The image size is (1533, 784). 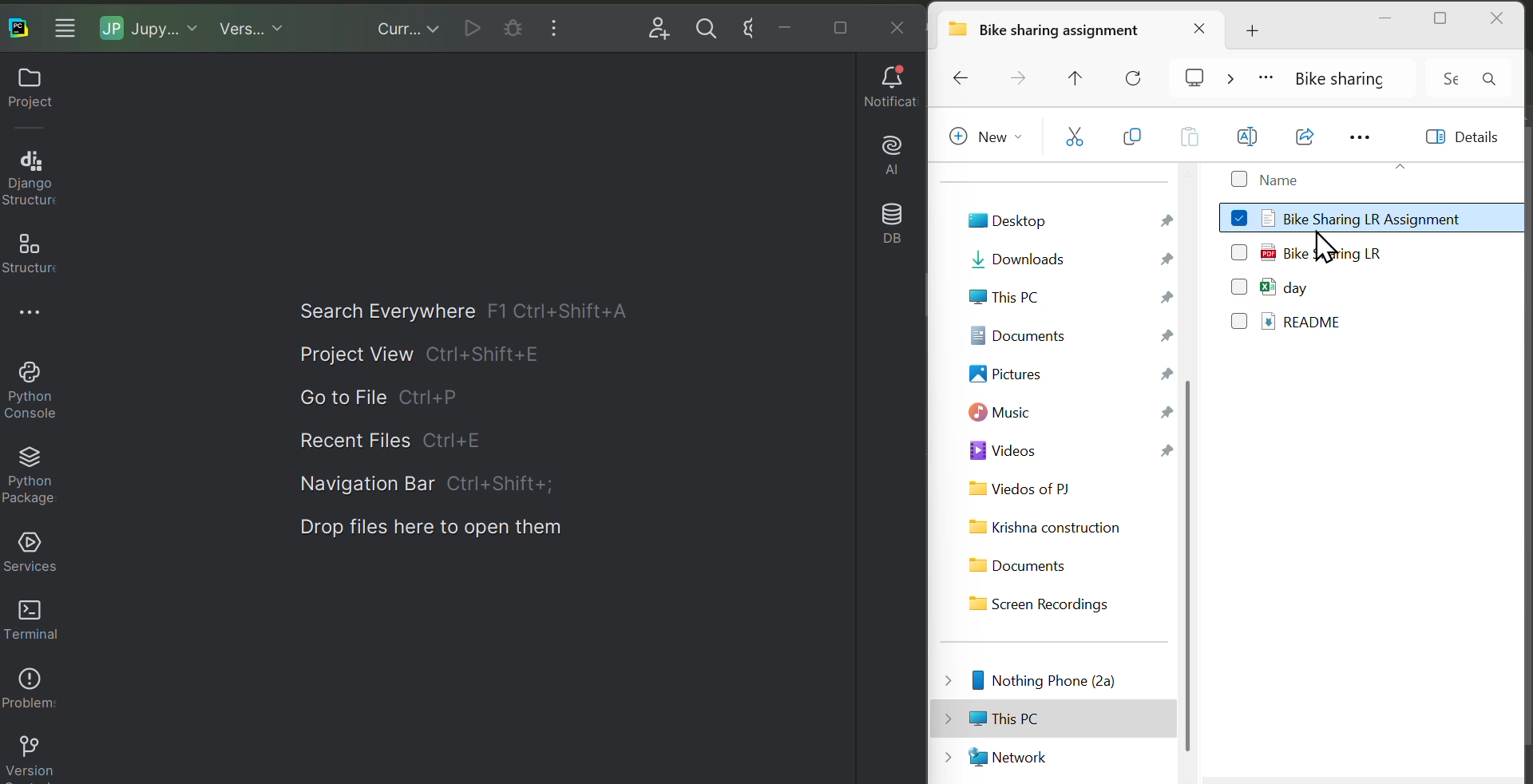 What do you see at coordinates (1133, 138) in the screenshot?
I see `copy` at bounding box center [1133, 138].